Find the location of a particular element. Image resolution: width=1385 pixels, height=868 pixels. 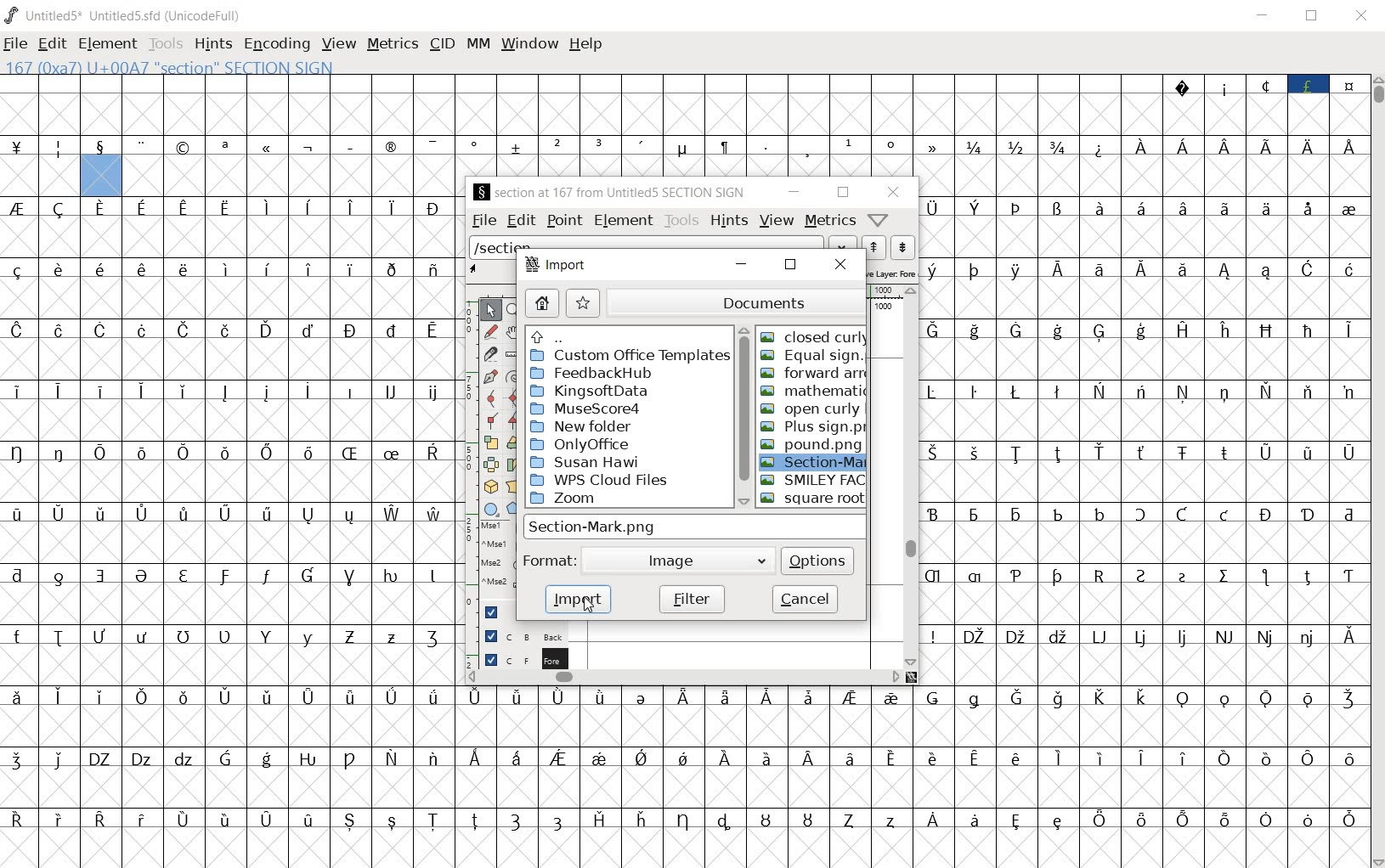

close is located at coordinates (842, 265).